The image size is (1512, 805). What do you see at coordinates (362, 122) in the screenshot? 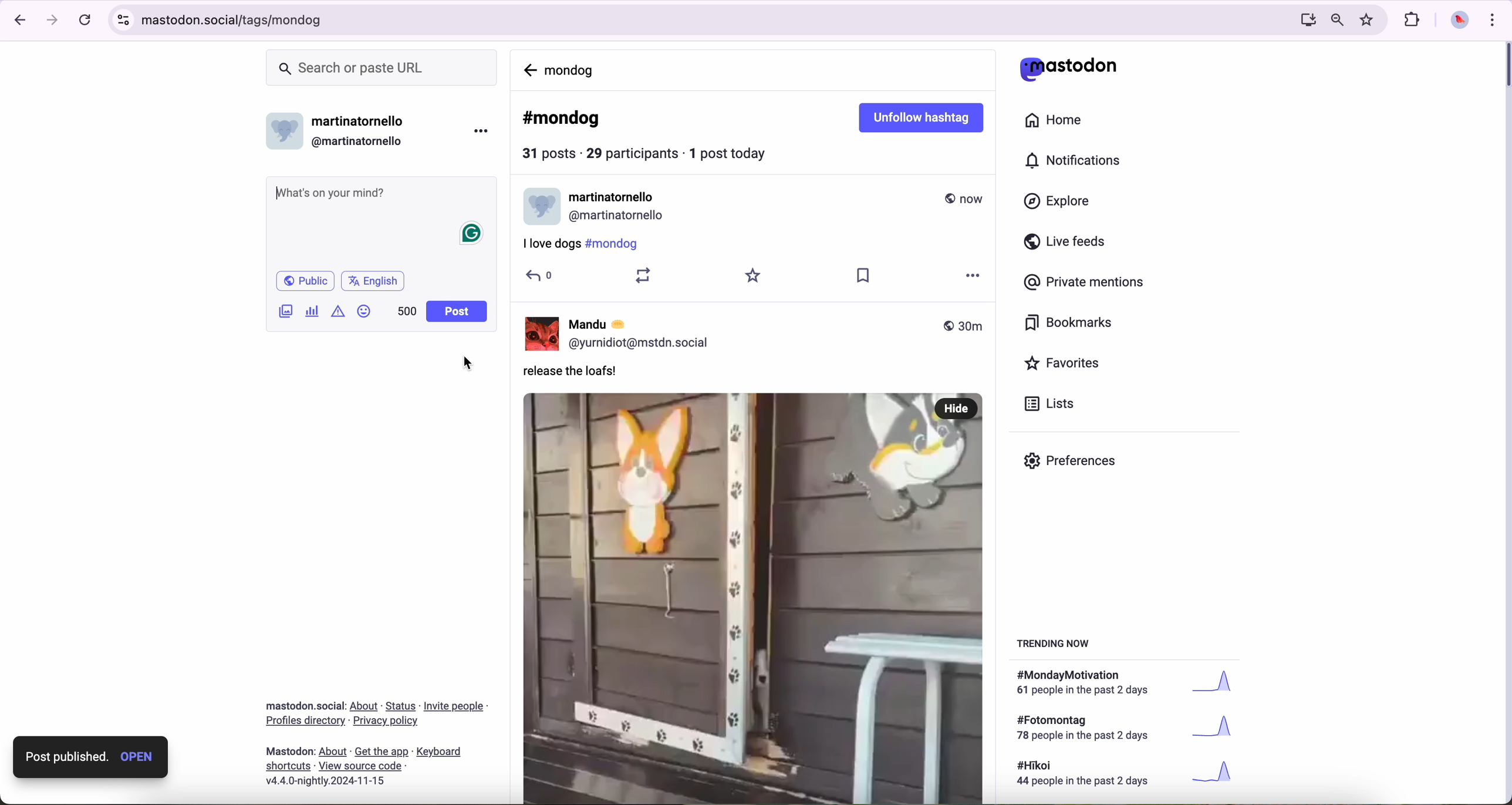
I see `user name` at bounding box center [362, 122].